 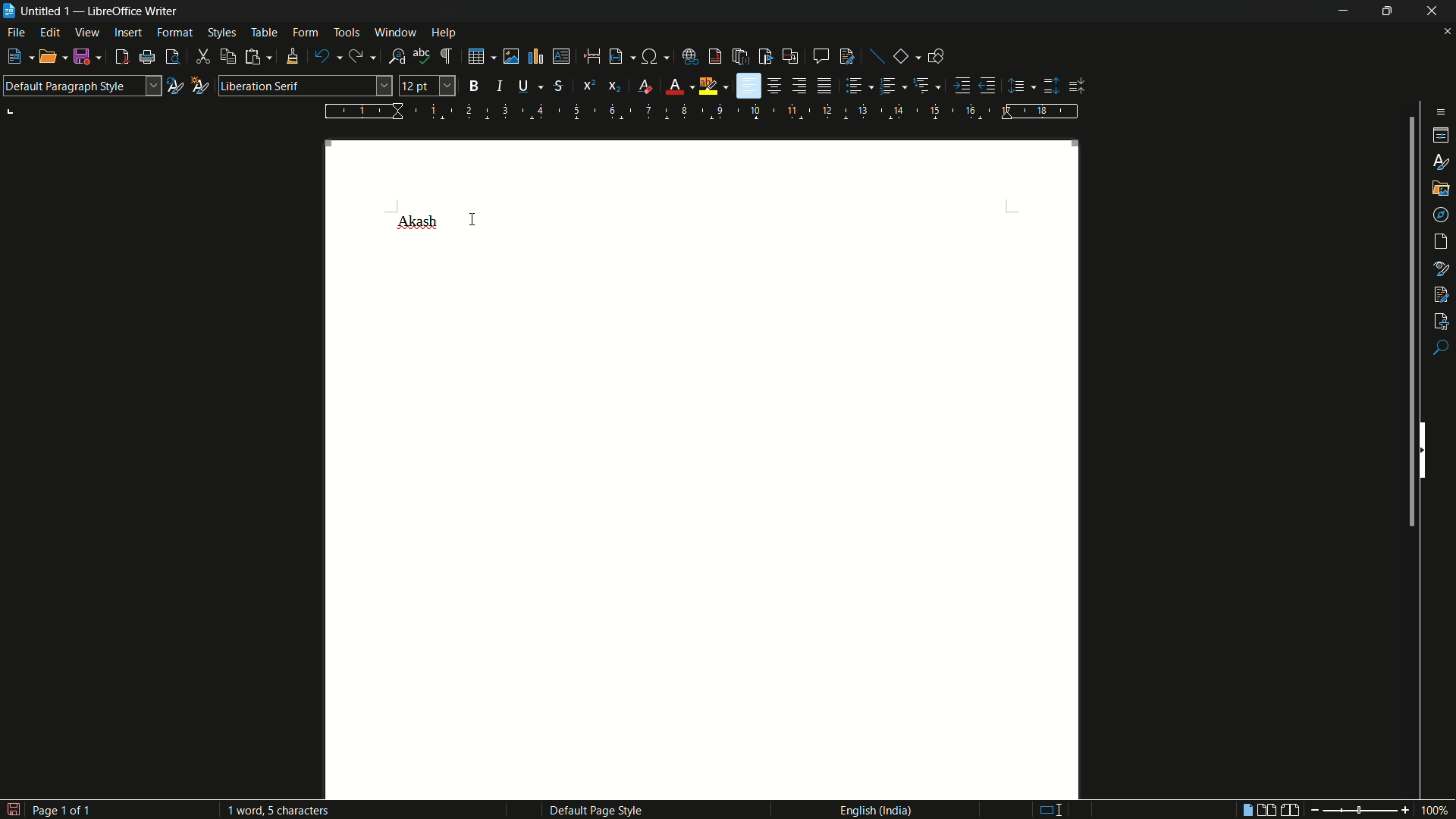 What do you see at coordinates (291, 56) in the screenshot?
I see `clone formatting` at bounding box center [291, 56].